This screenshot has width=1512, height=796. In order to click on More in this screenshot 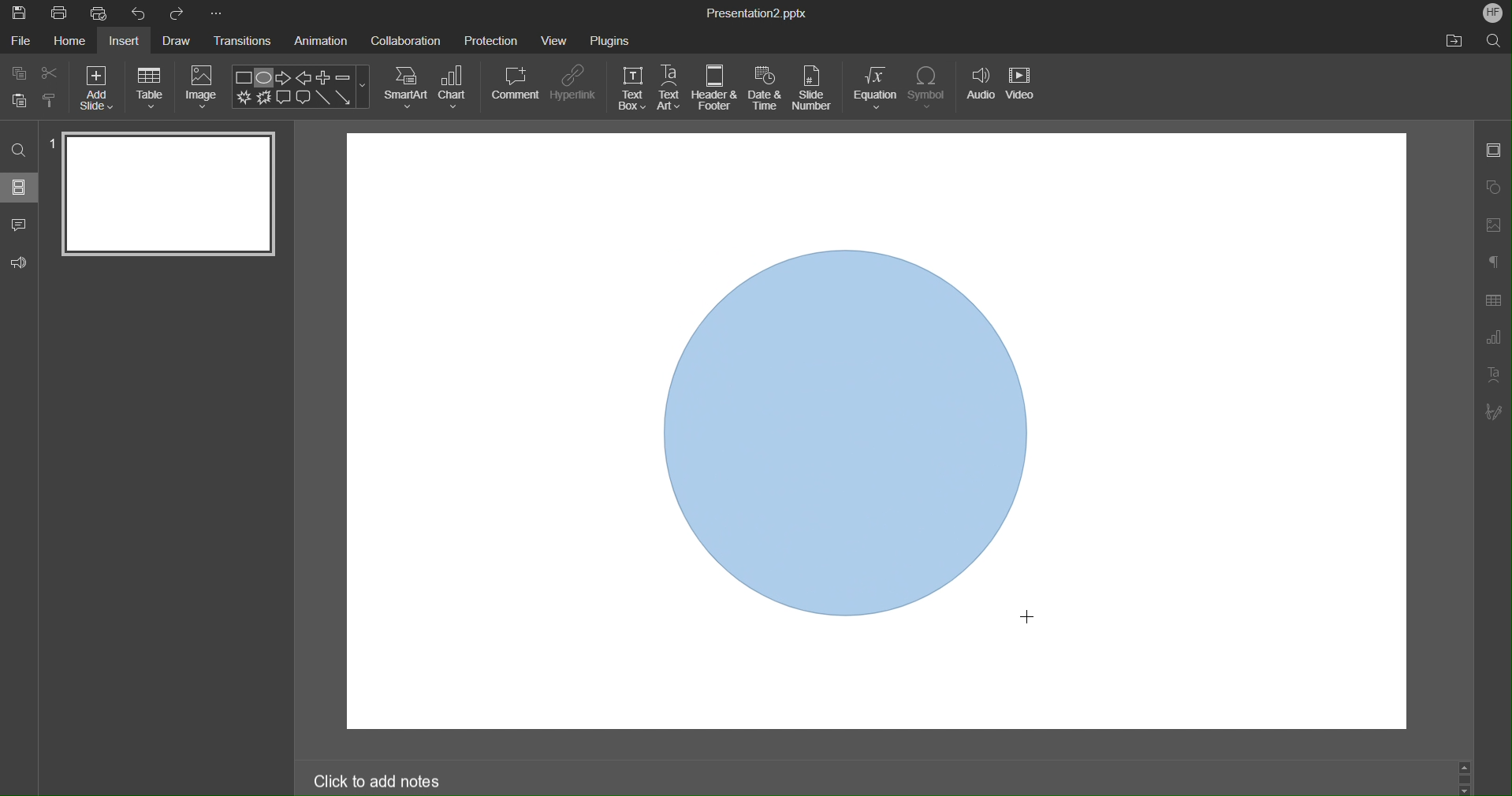, I will do `click(216, 13)`.